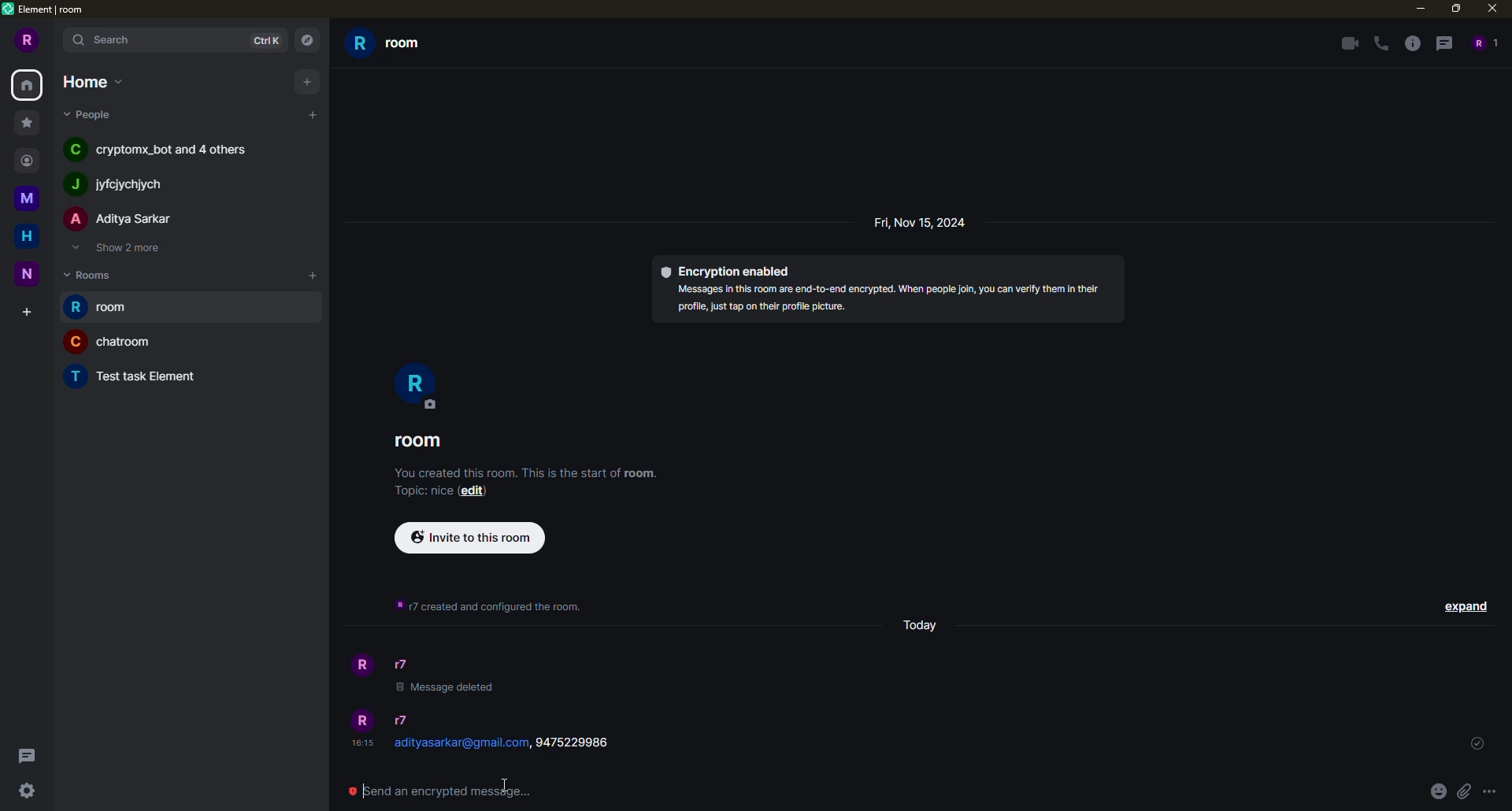  What do you see at coordinates (361, 742) in the screenshot?
I see `time` at bounding box center [361, 742].